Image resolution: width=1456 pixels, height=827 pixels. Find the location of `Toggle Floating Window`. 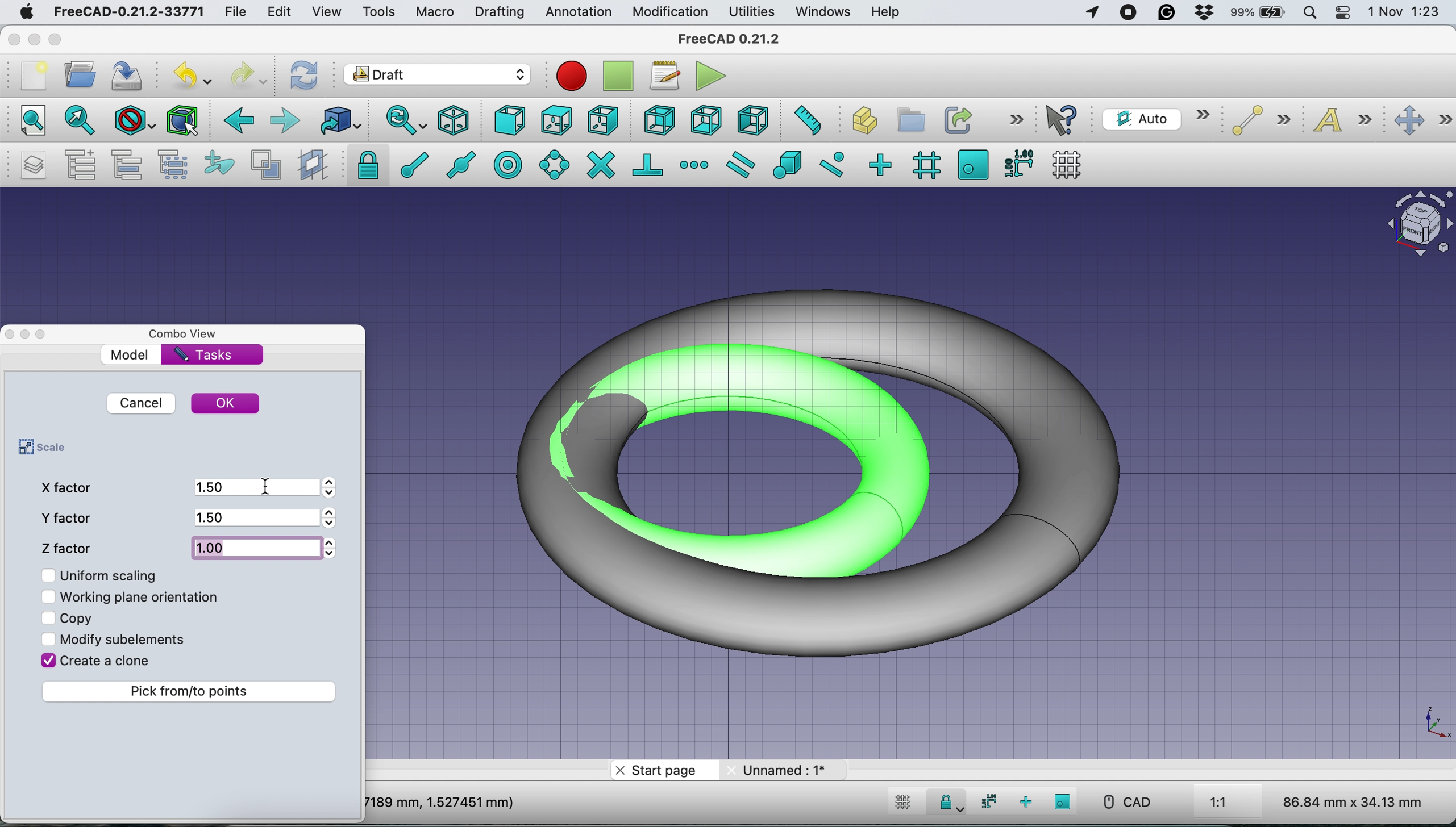

Toggle Floating Window is located at coordinates (27, 335).